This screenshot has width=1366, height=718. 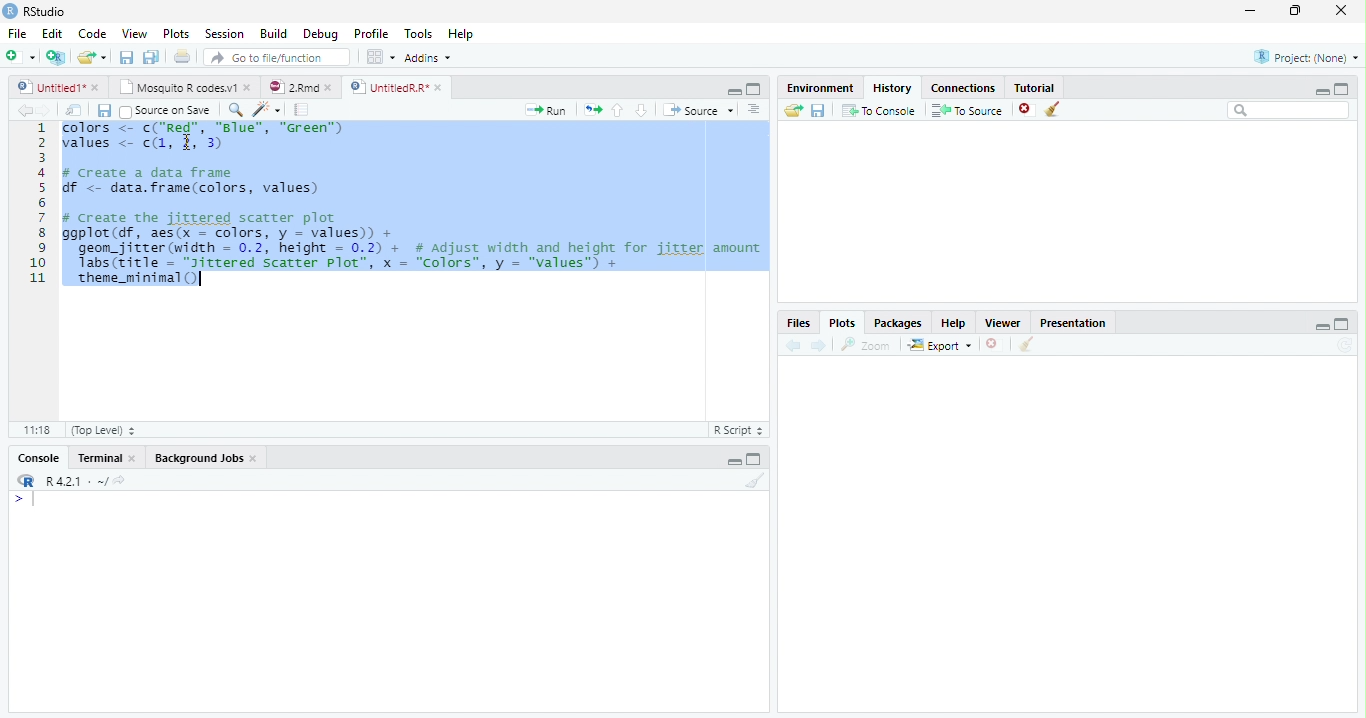 I want to click on Maximize, so click(x=1342, y=324).